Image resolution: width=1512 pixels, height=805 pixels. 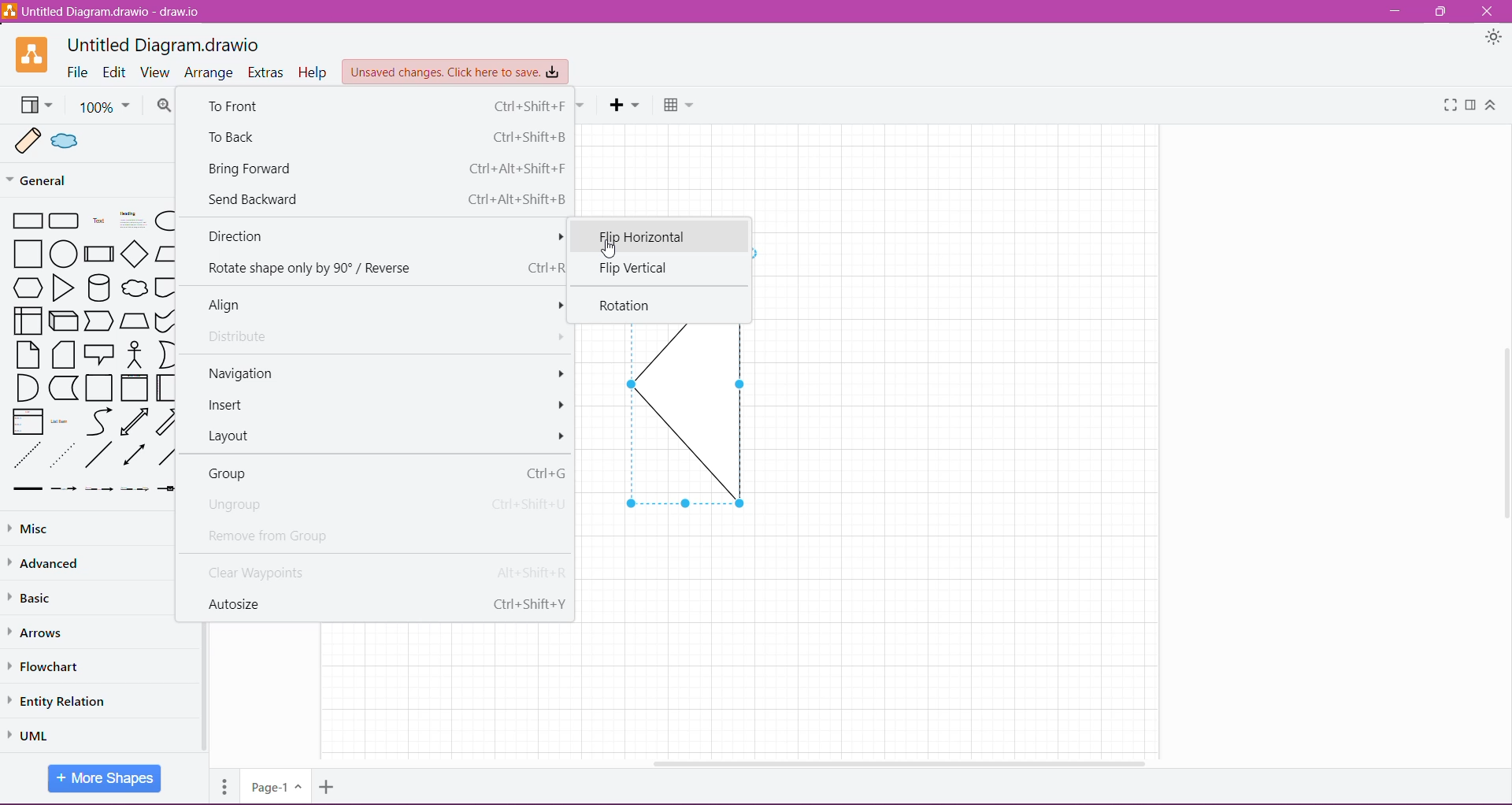 What do you see at coordinates (387, 170) in the screenshot?
I see `Bring Forward Ctrl+Alt+Shift+F` at bounding box center [387, 170].